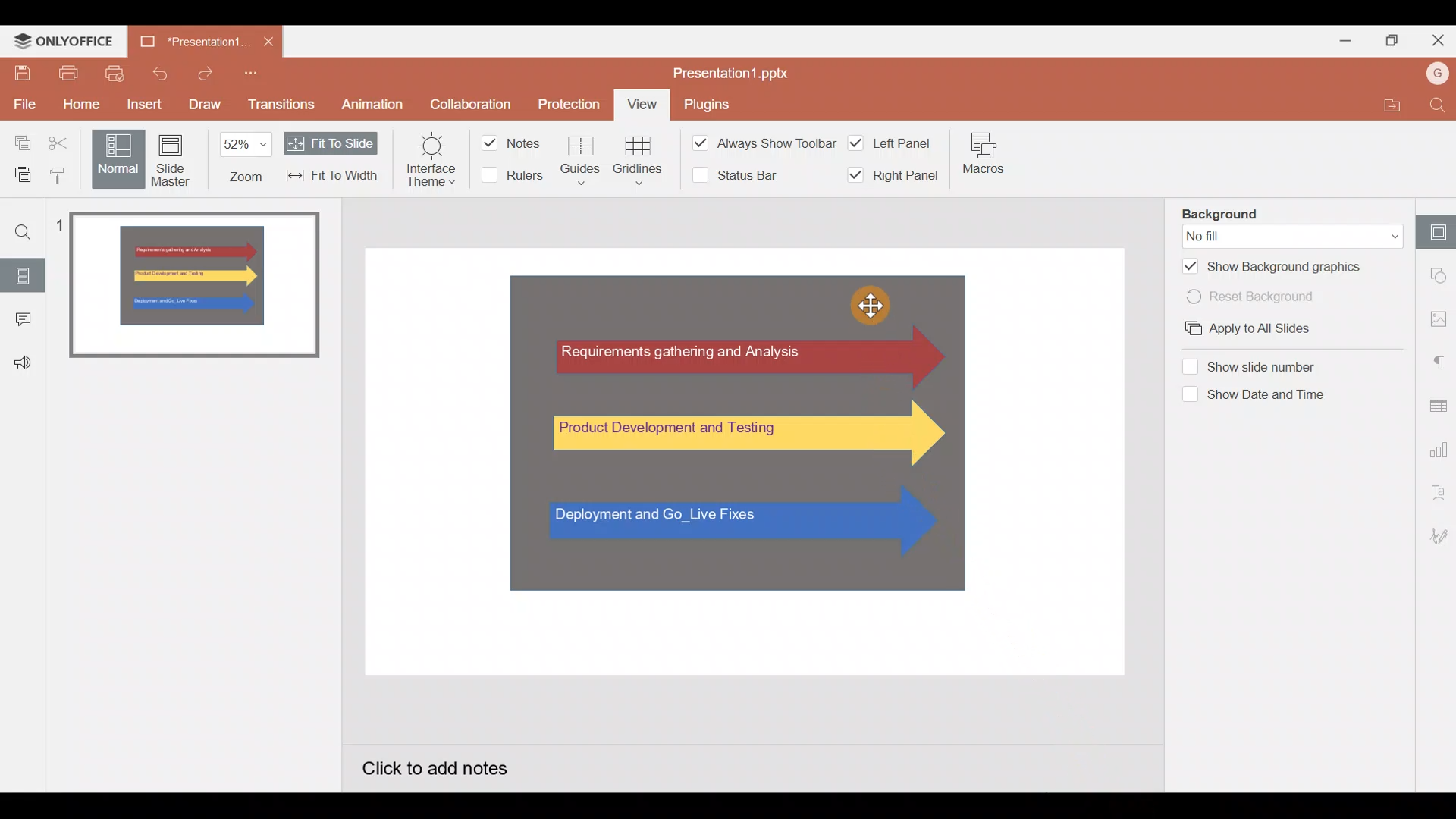  Describe the element at coordinates (251, 73) in the screenshot. I see `Customize quick access toolbar` at that location.